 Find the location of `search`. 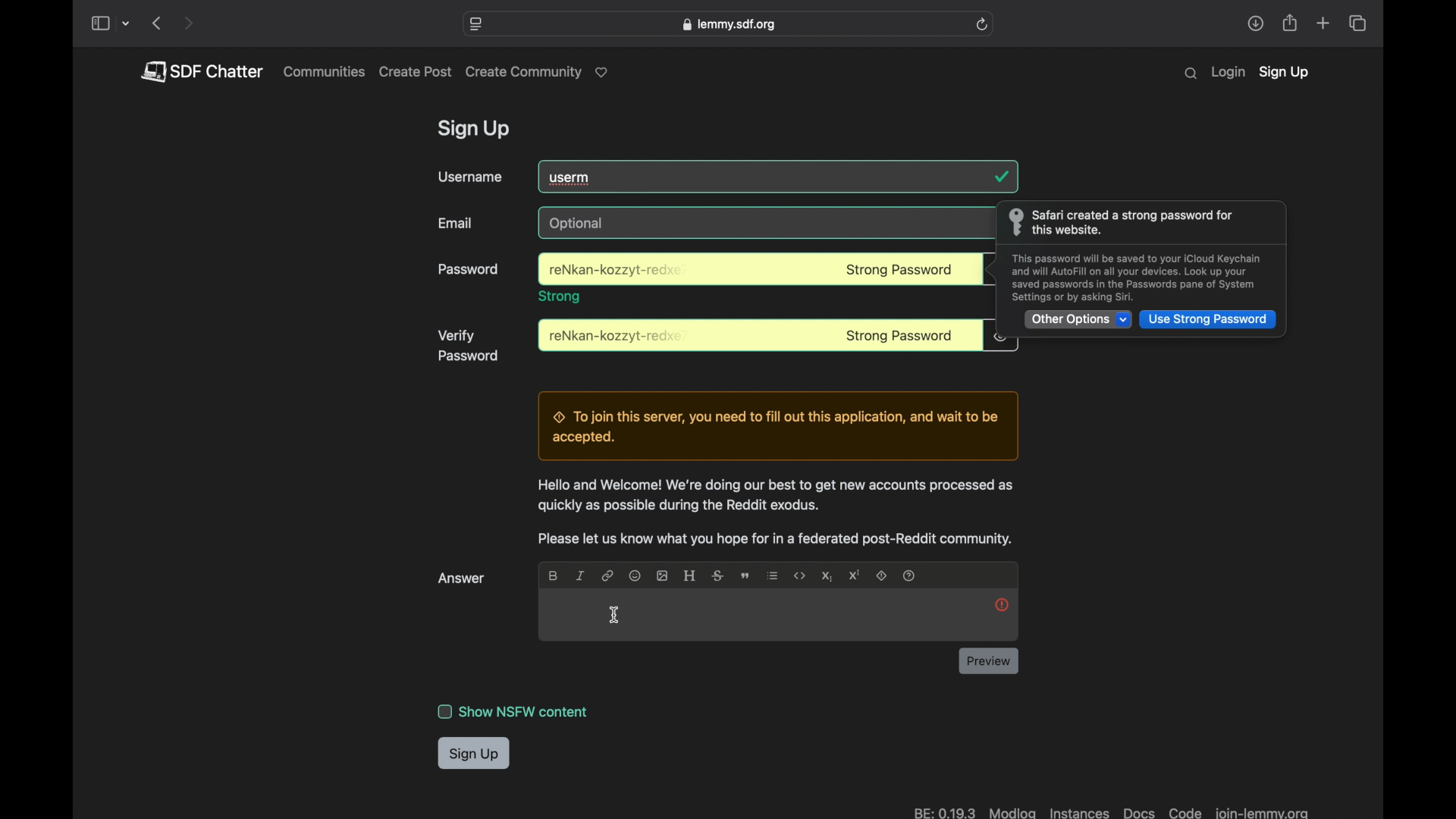

search is located at coordinates (1191, 74).